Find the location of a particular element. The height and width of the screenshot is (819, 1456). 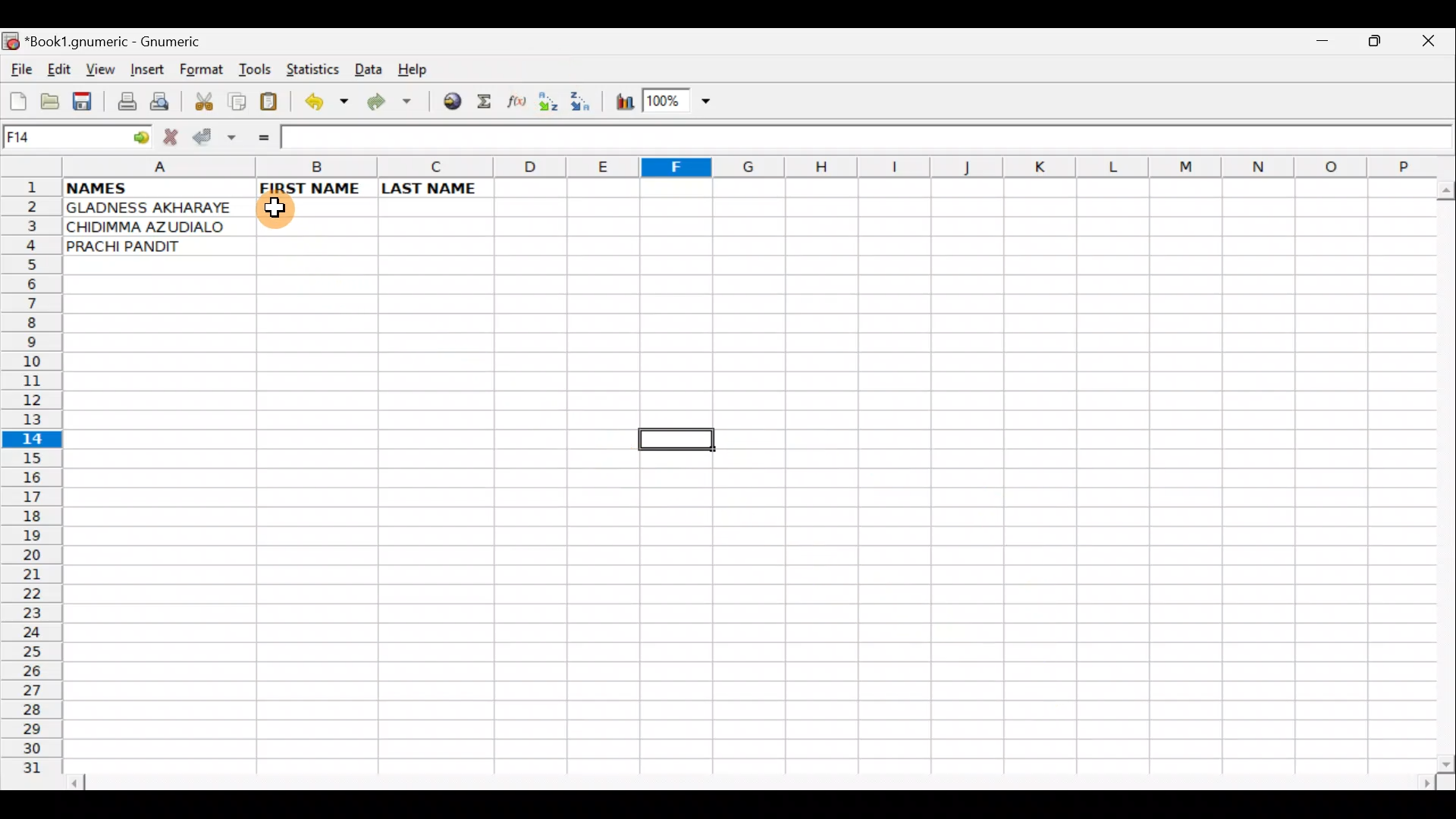

*Book1.gnumeric - Gnumeric is located at coordinates (127, 42).